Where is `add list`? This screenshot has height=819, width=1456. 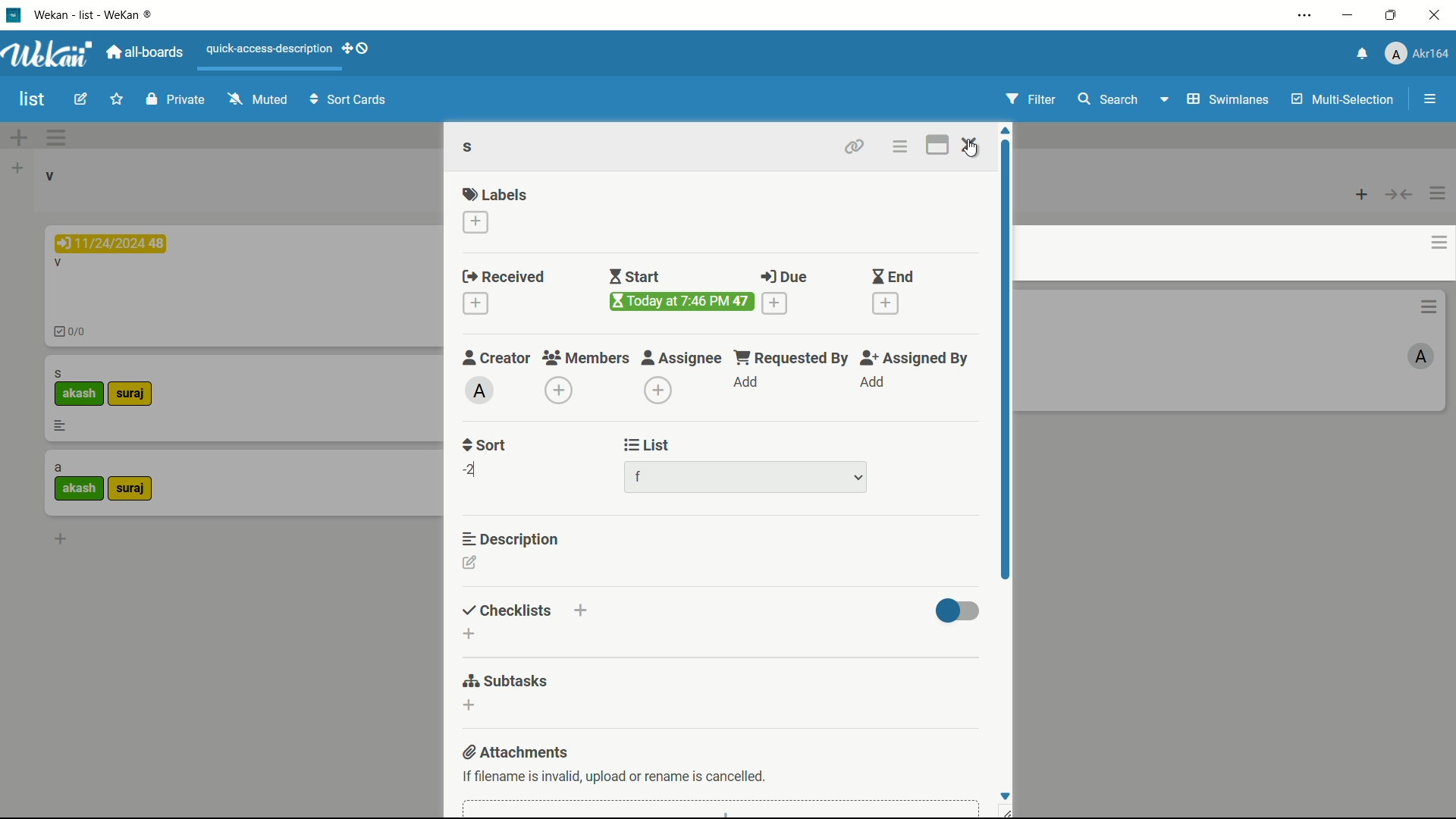
add list is located at coordinates (17, 169).